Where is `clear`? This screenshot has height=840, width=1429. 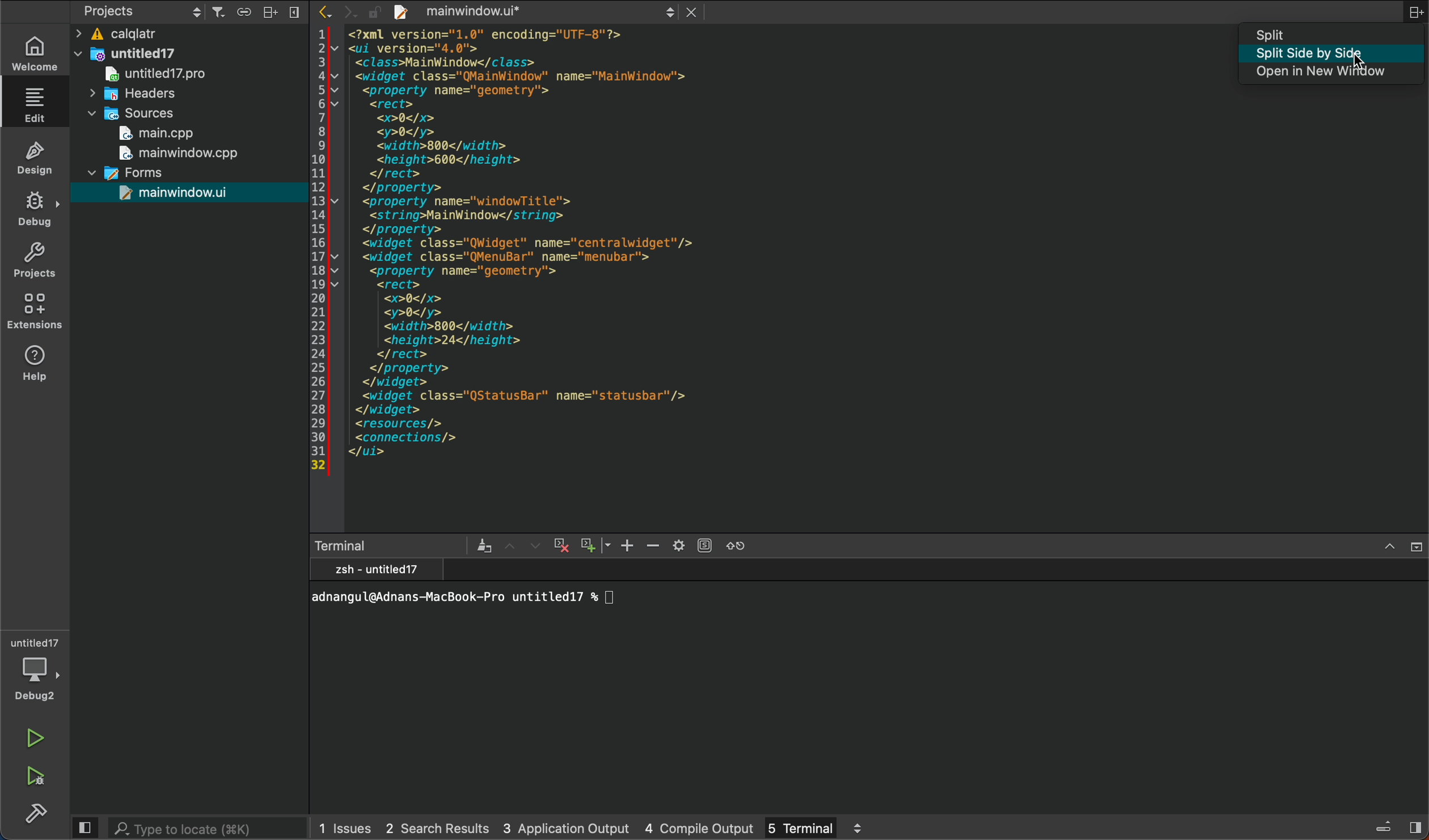 clear is located at coordinates (485, 546).